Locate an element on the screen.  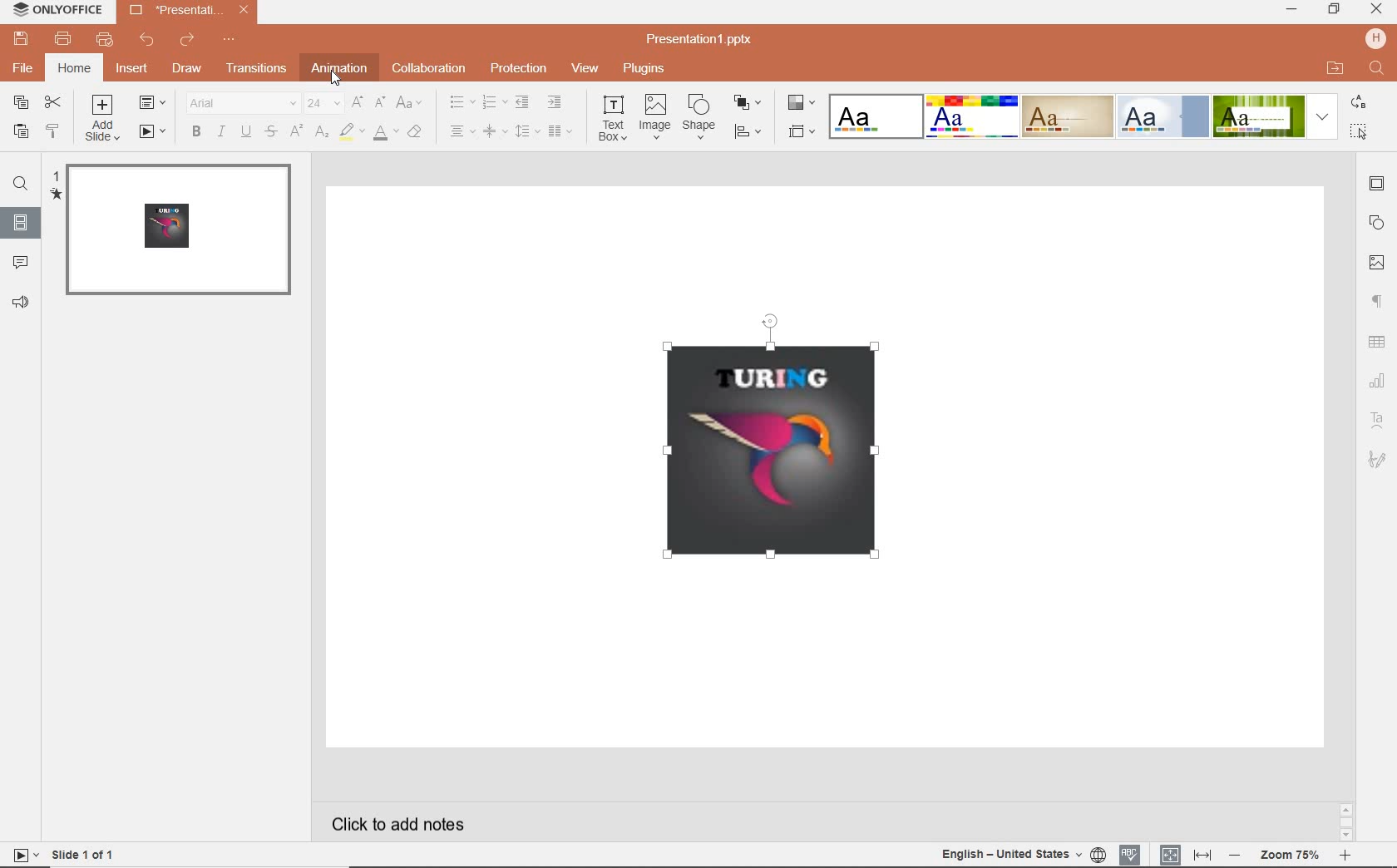
insert columns is located at coordinates (561, 131).